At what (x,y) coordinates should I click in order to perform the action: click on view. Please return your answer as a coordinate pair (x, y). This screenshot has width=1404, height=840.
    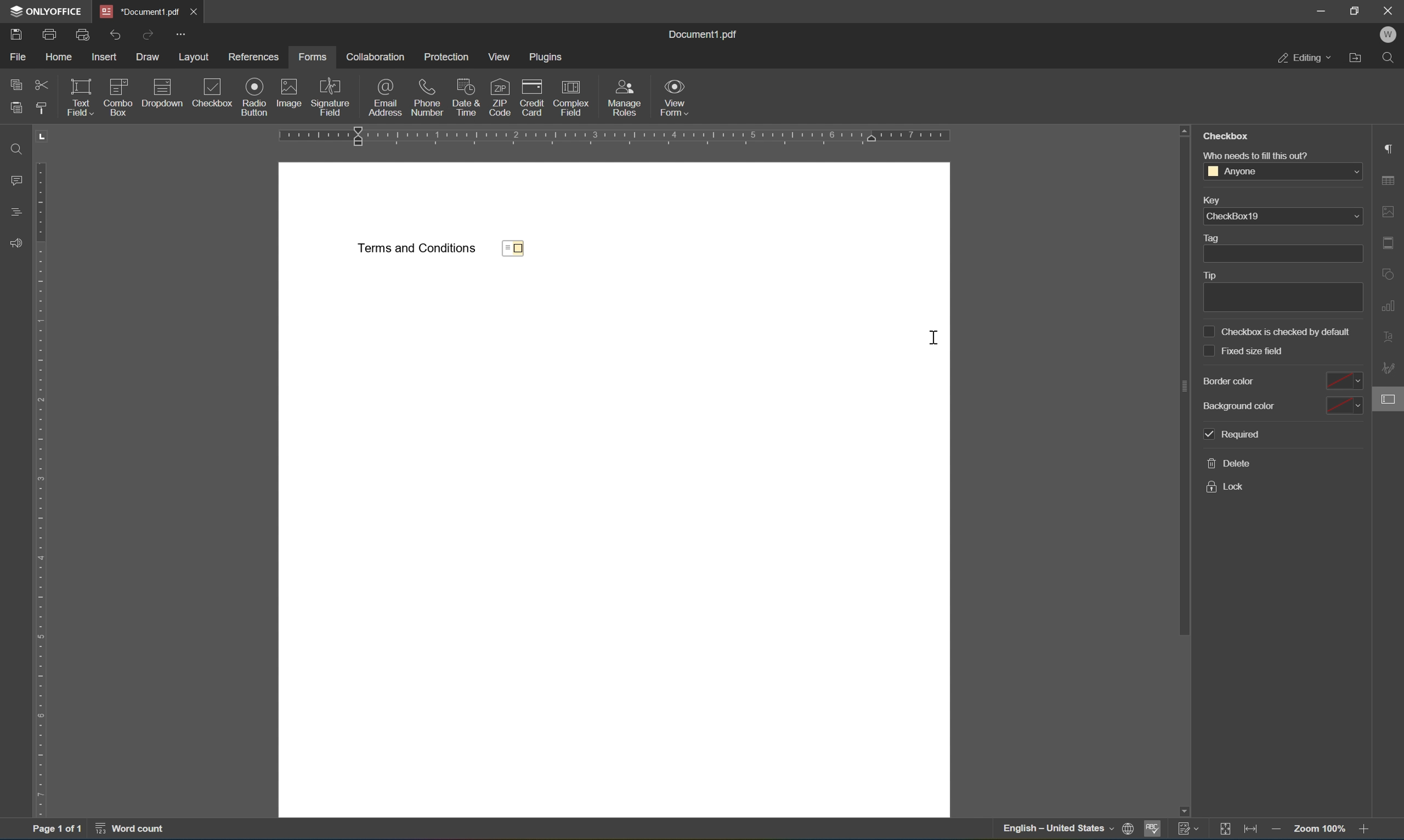
    Looking at the image, I should click on (500, 57).